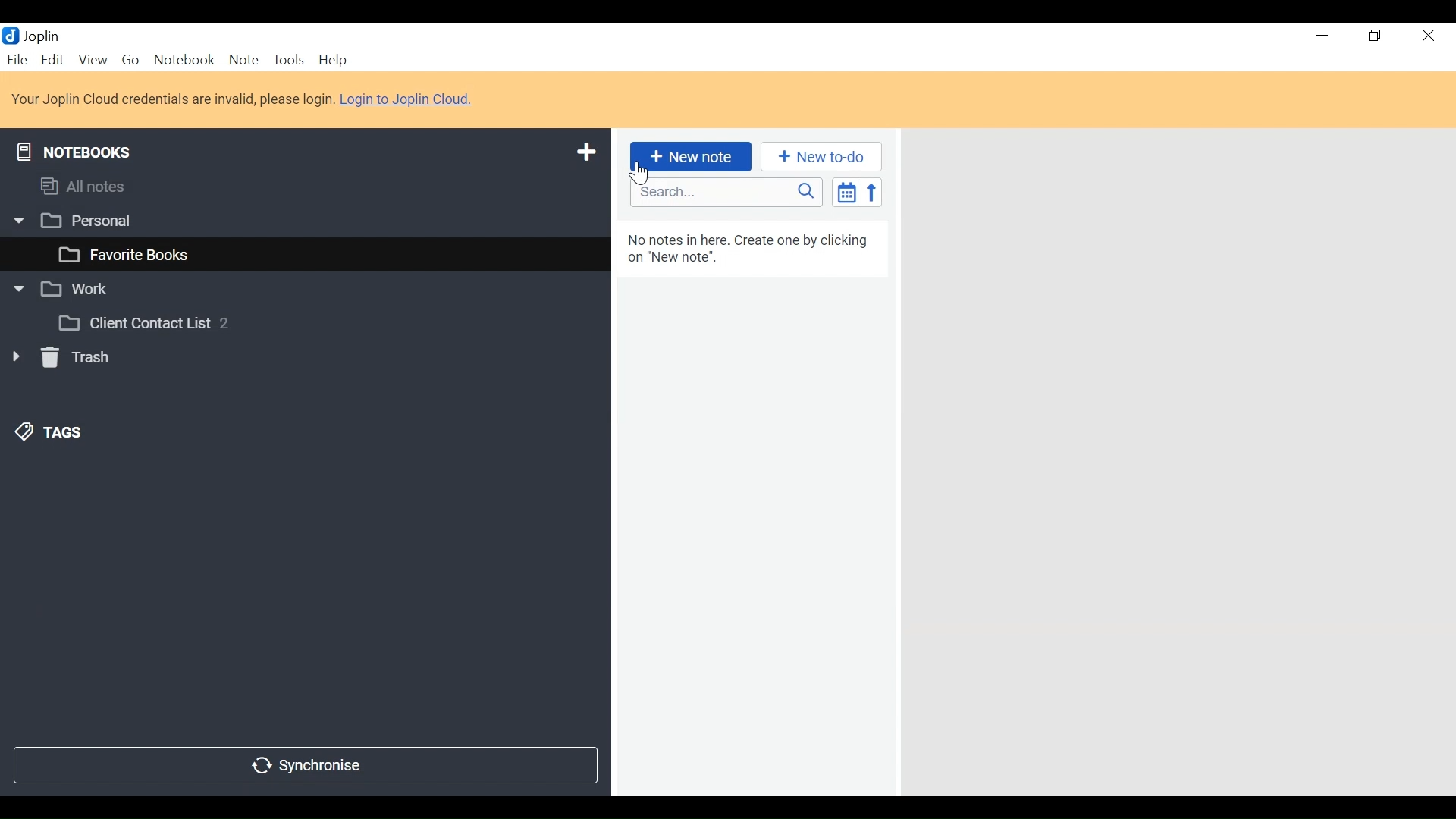 This screenshot has height=819, width=1456. Describe the element at coordinates (338, 60) in the screenshot. I see `Help` at that location.